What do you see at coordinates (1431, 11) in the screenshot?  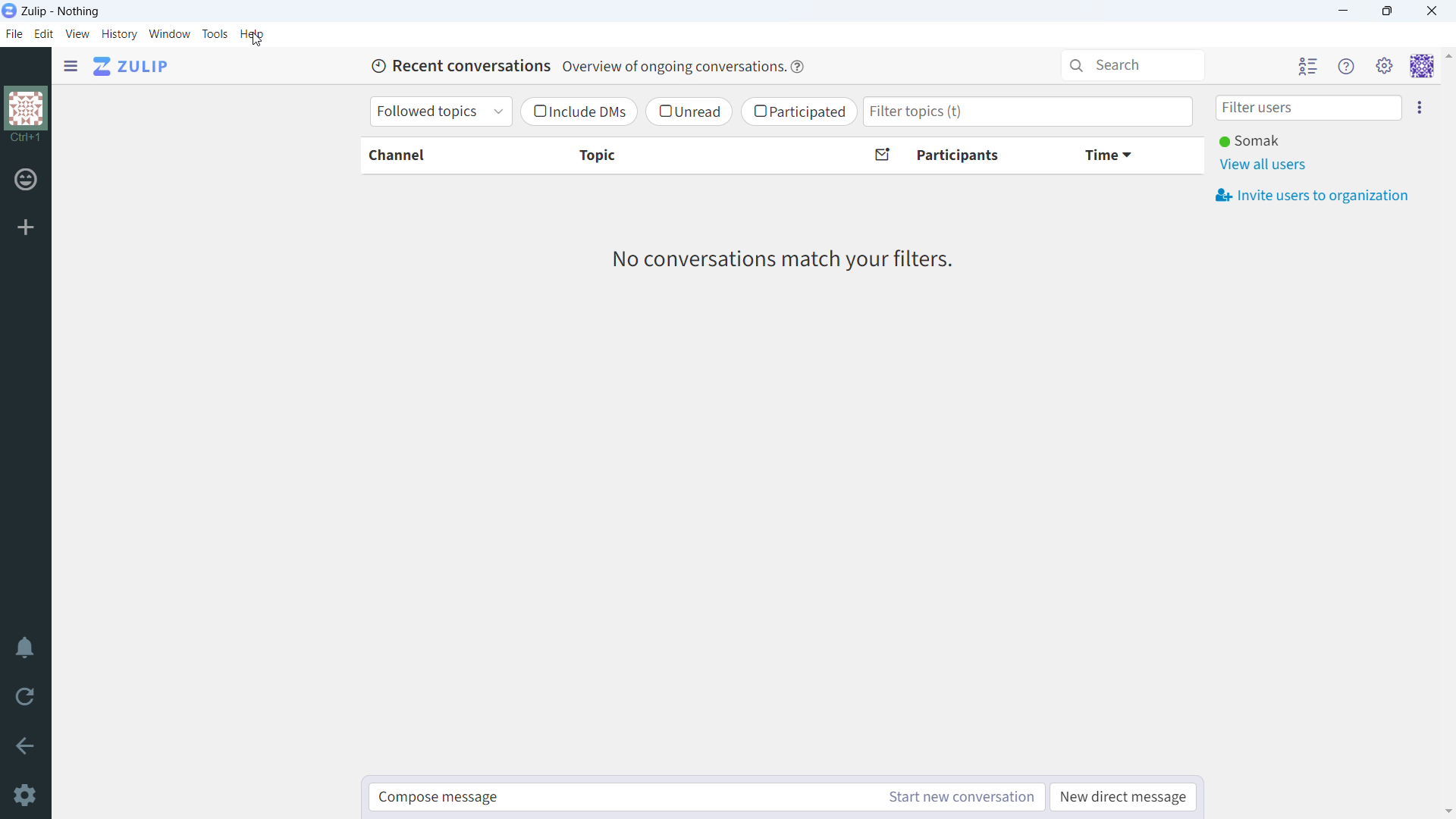 I see `close` at bounding box center [1431, 11].